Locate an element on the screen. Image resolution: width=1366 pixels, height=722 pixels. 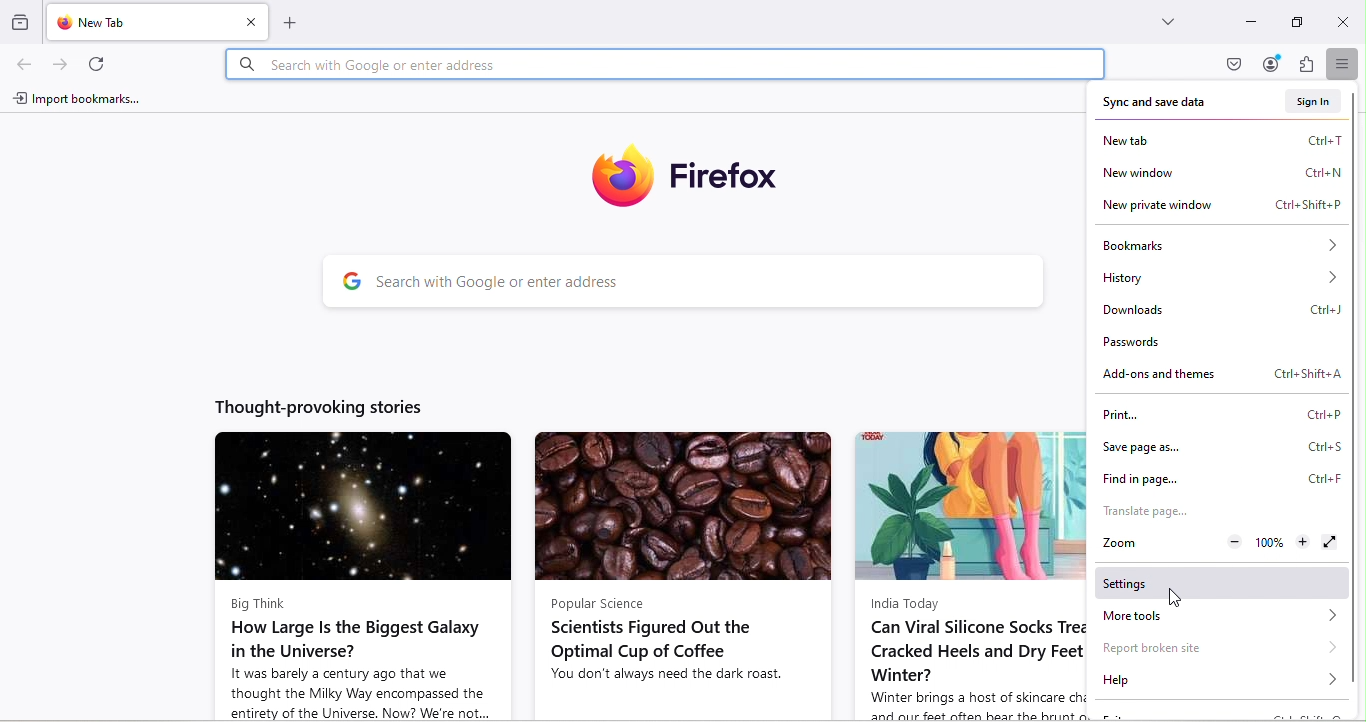
Report broken site is located at coordinates (1215, 645).